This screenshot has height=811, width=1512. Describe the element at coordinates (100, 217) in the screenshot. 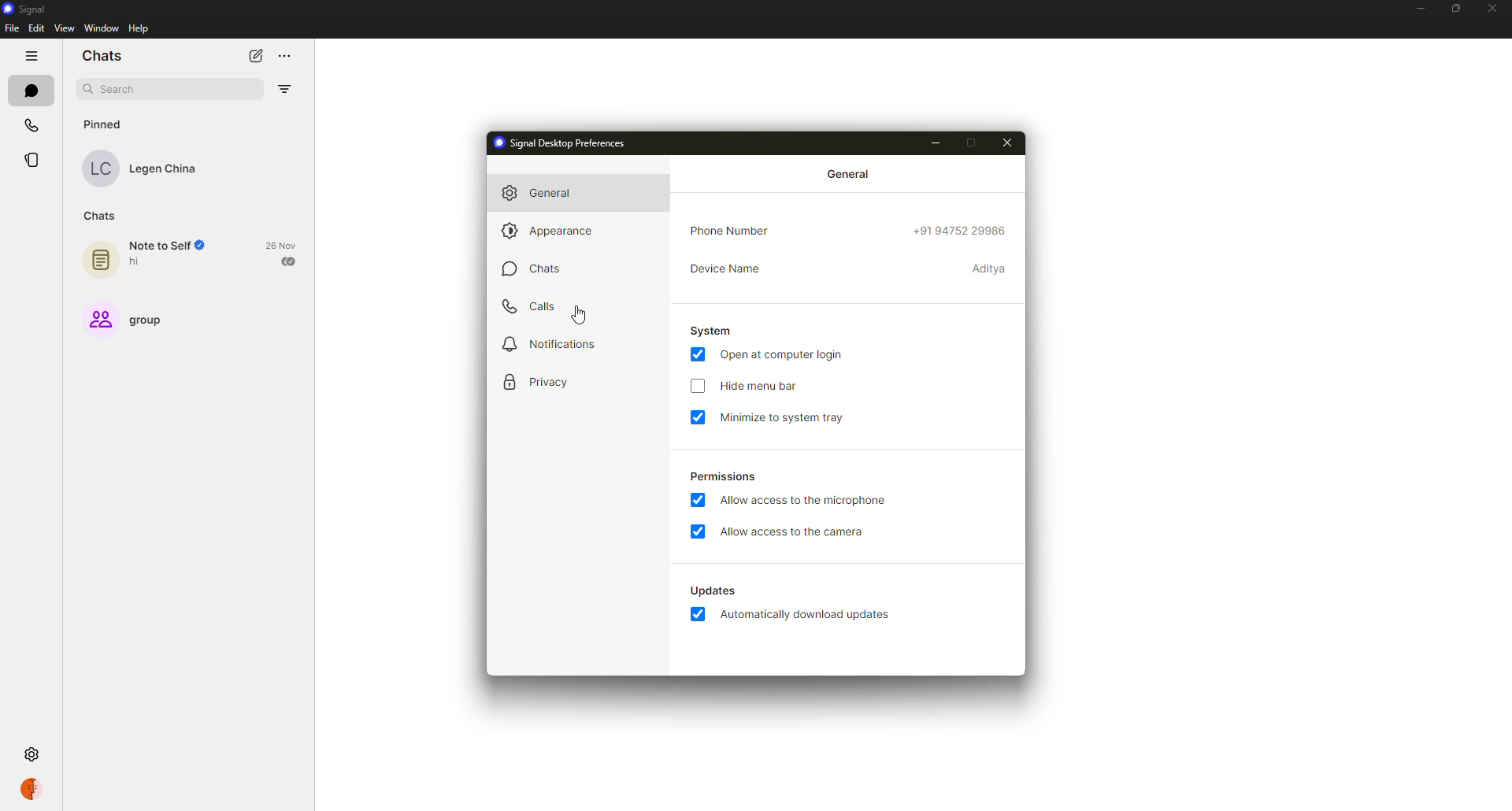

I see `chats` at that location.